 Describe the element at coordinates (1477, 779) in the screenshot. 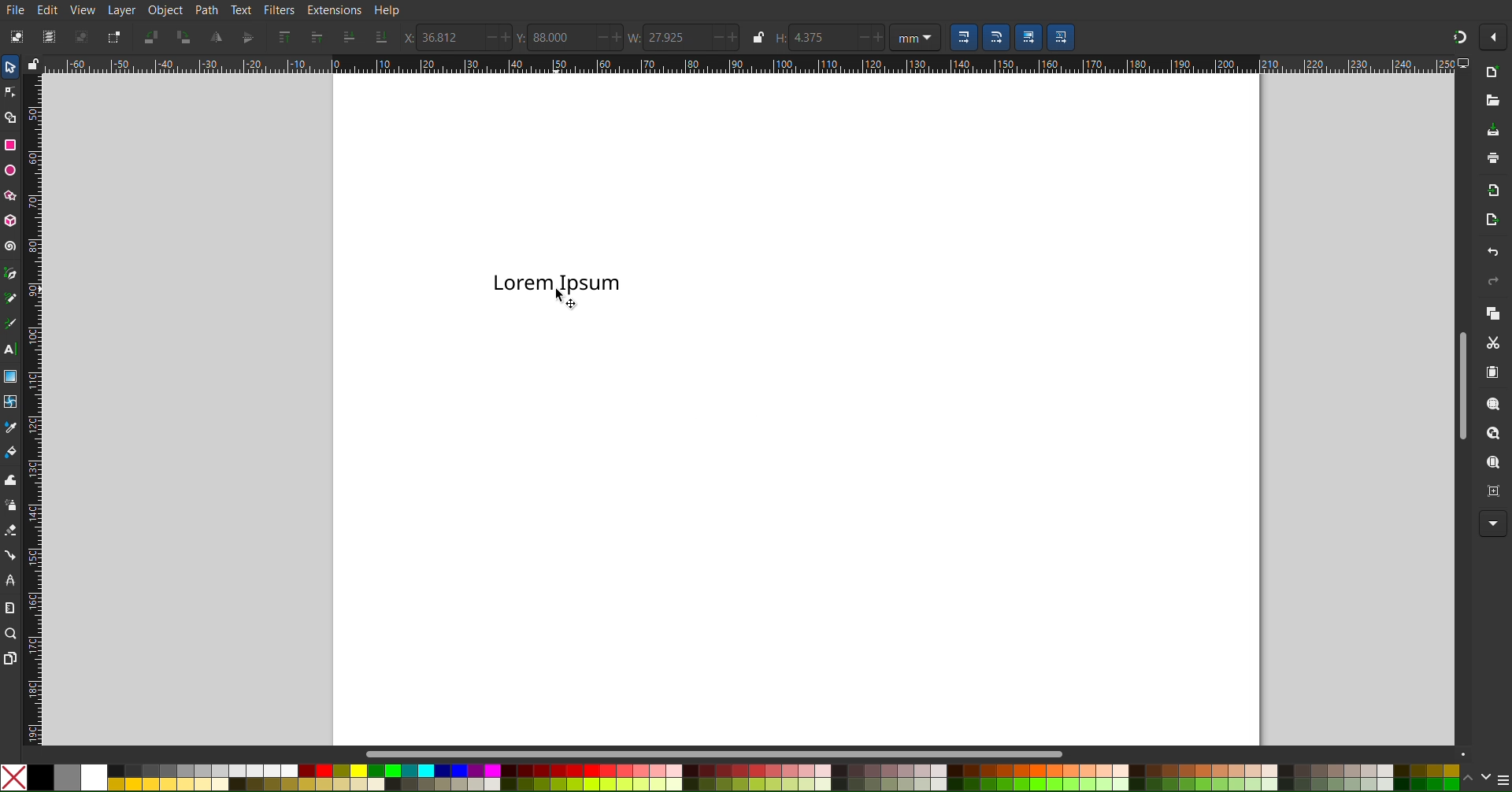

I see `scroll color options` at that location.